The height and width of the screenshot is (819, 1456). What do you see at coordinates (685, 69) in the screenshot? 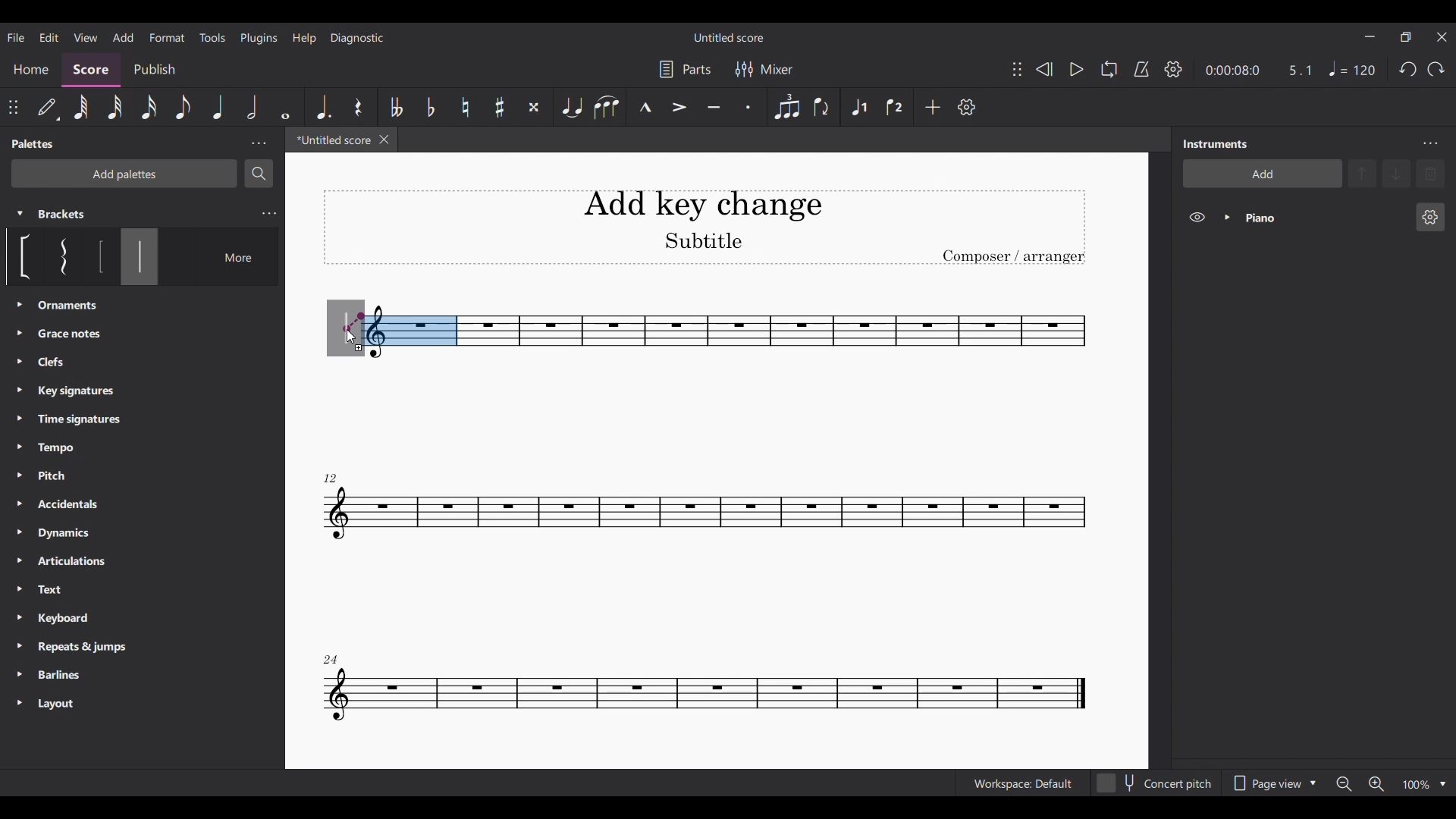
I see `Parts` at bounding box center [685, 69].